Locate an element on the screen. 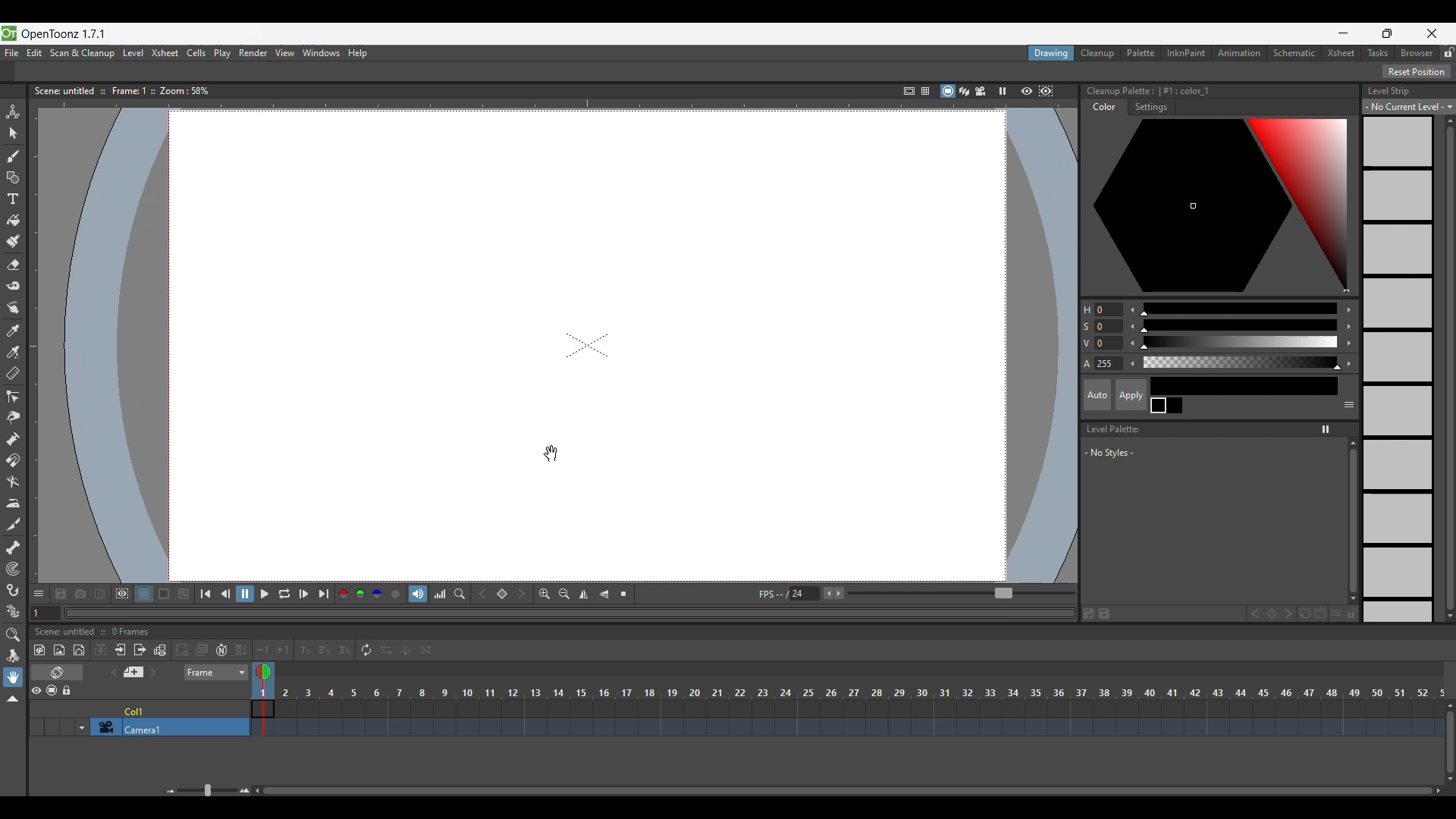 Image resolution: width=1456 pixels, height=819 pixels. Open sub Xsheet is located at coordinates (120, 650).